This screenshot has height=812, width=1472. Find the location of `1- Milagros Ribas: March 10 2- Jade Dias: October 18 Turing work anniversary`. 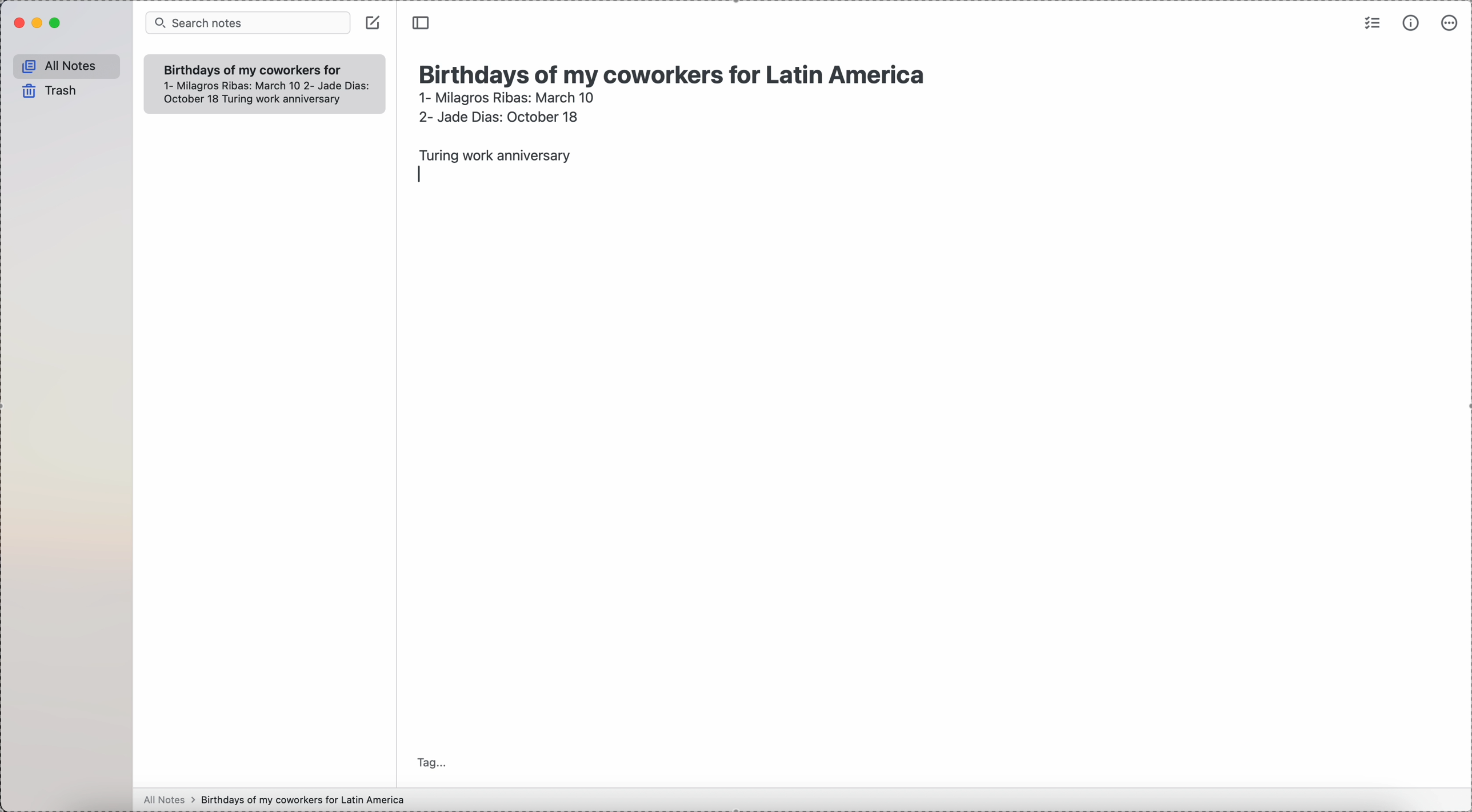

1- Milagros Ribas: March 10 2- Jade Dias: October 18 Turing work anniversary is located at coordinates (259, 93).